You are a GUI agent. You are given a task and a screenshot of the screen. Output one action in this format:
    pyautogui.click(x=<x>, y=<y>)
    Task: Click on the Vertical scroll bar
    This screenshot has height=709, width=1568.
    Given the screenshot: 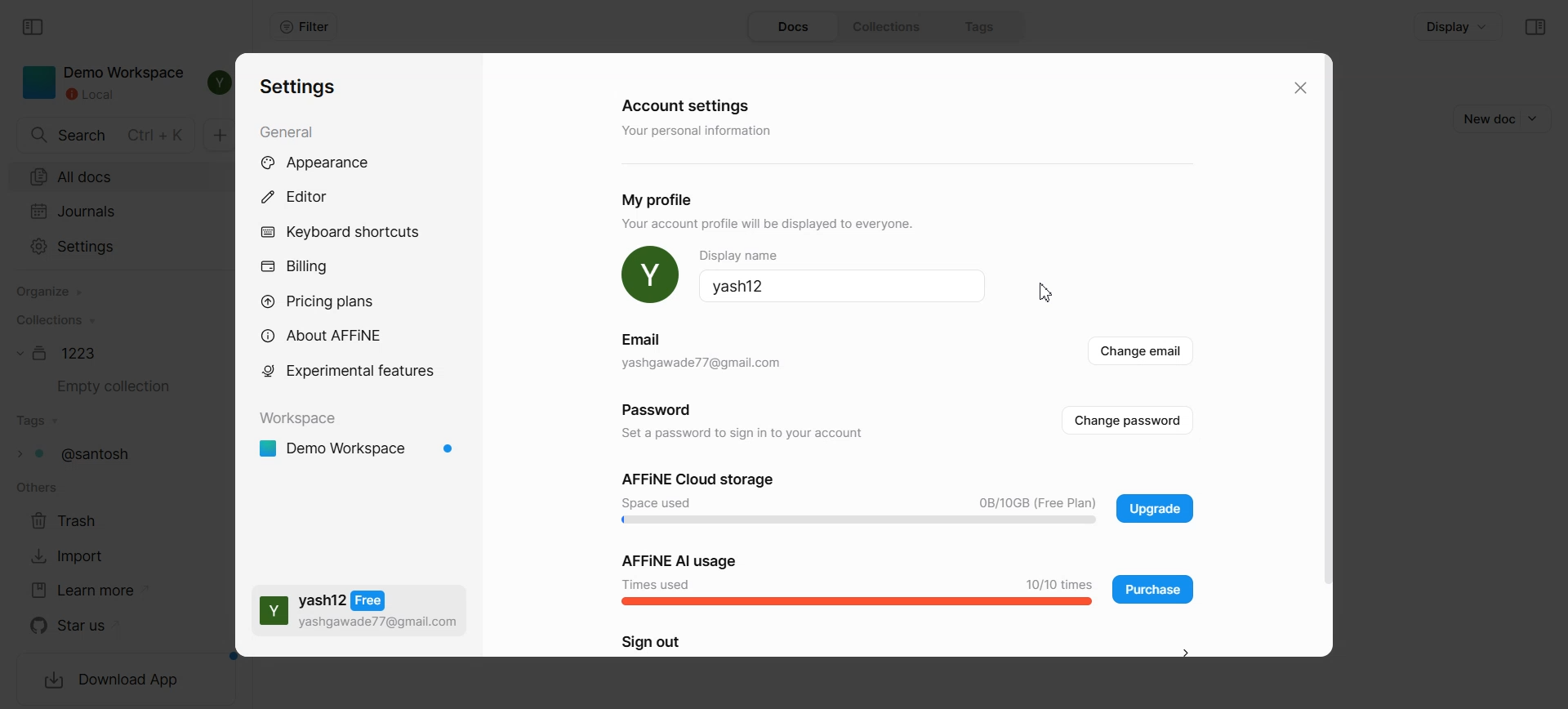 What is the action you would take?
    pyautogui.click(x=1330, y=354)
    